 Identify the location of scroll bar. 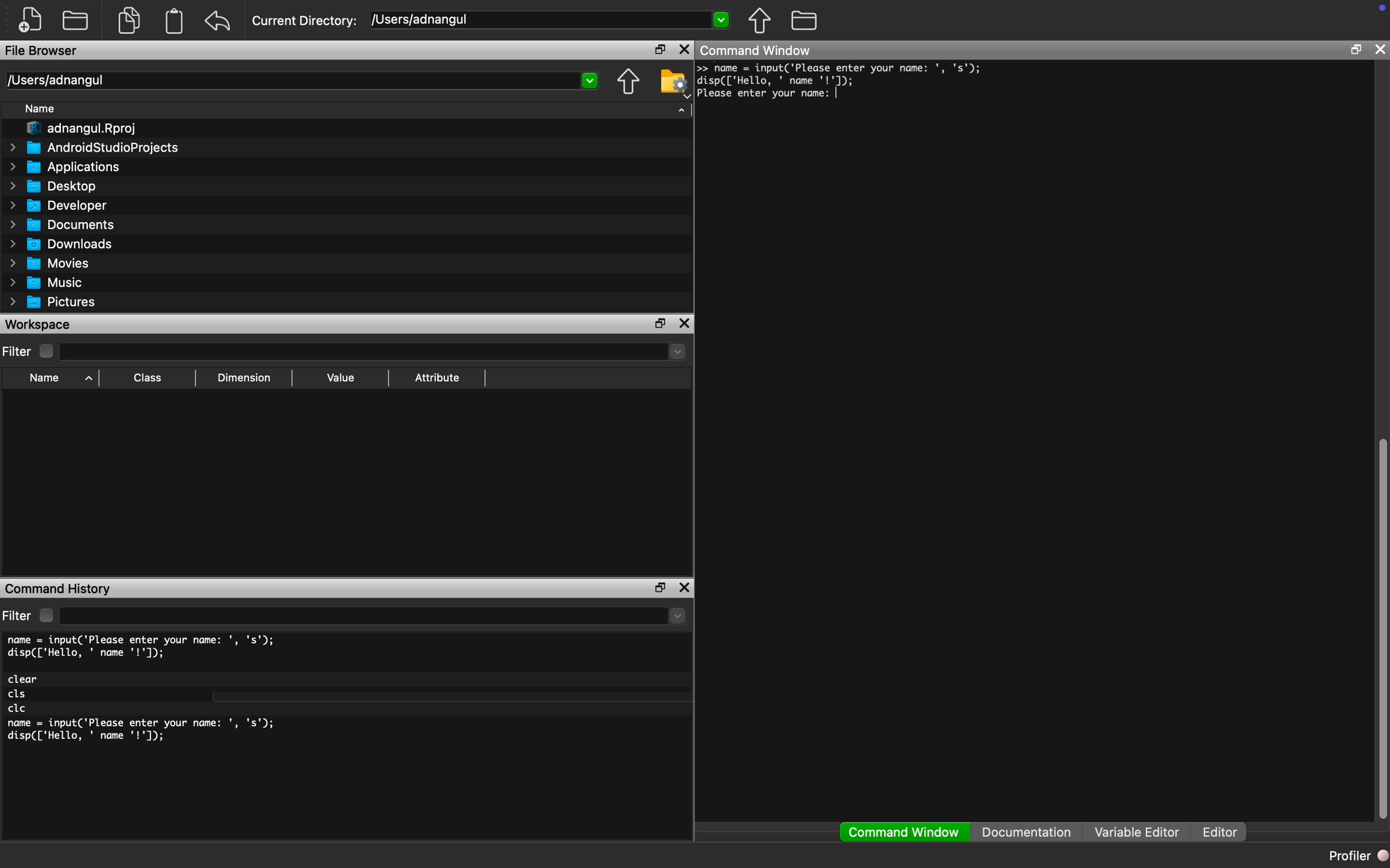
(1381, 625).